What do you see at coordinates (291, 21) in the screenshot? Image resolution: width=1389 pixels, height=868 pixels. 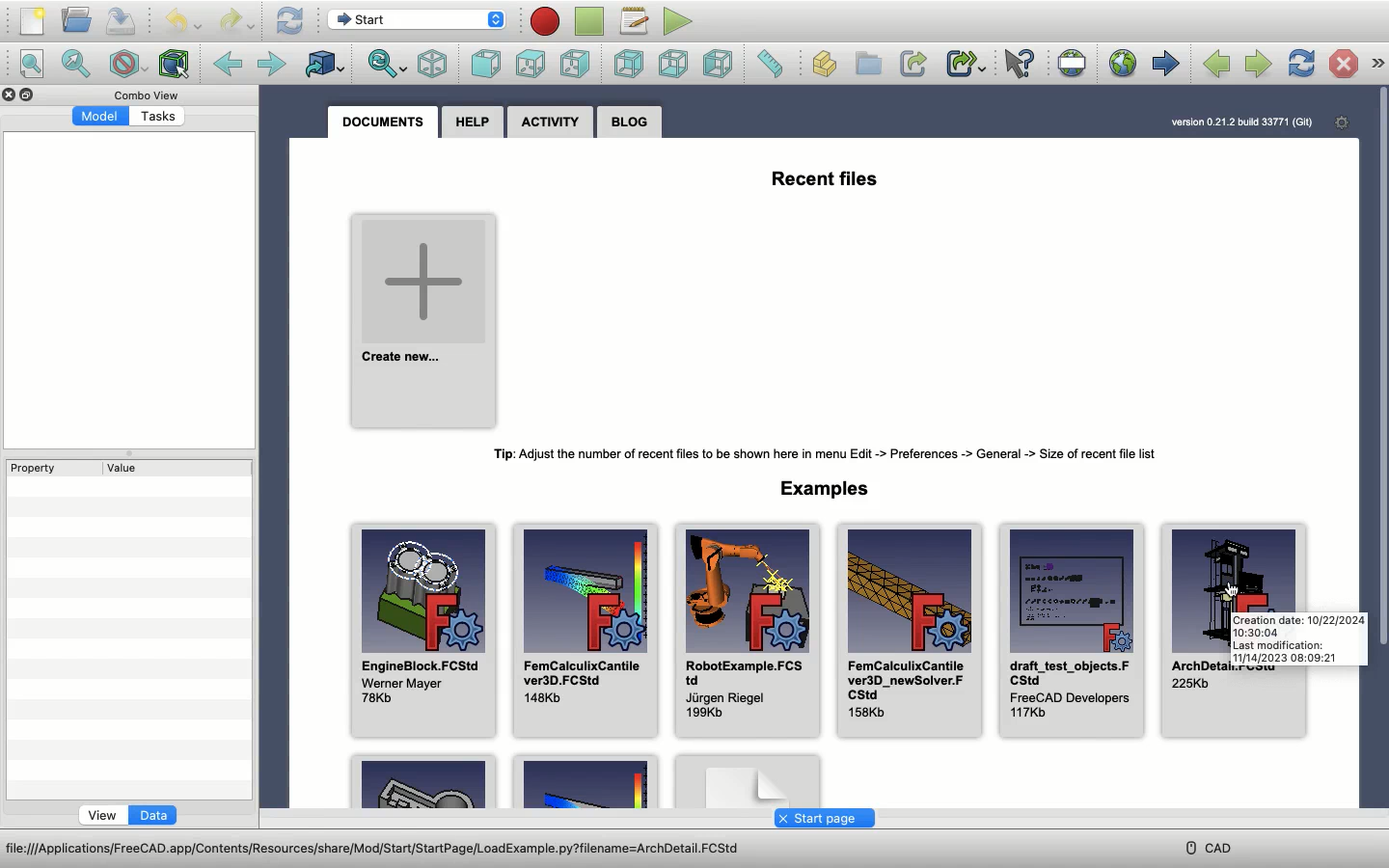 I see `Refresh` at bounding box center [291, 21].